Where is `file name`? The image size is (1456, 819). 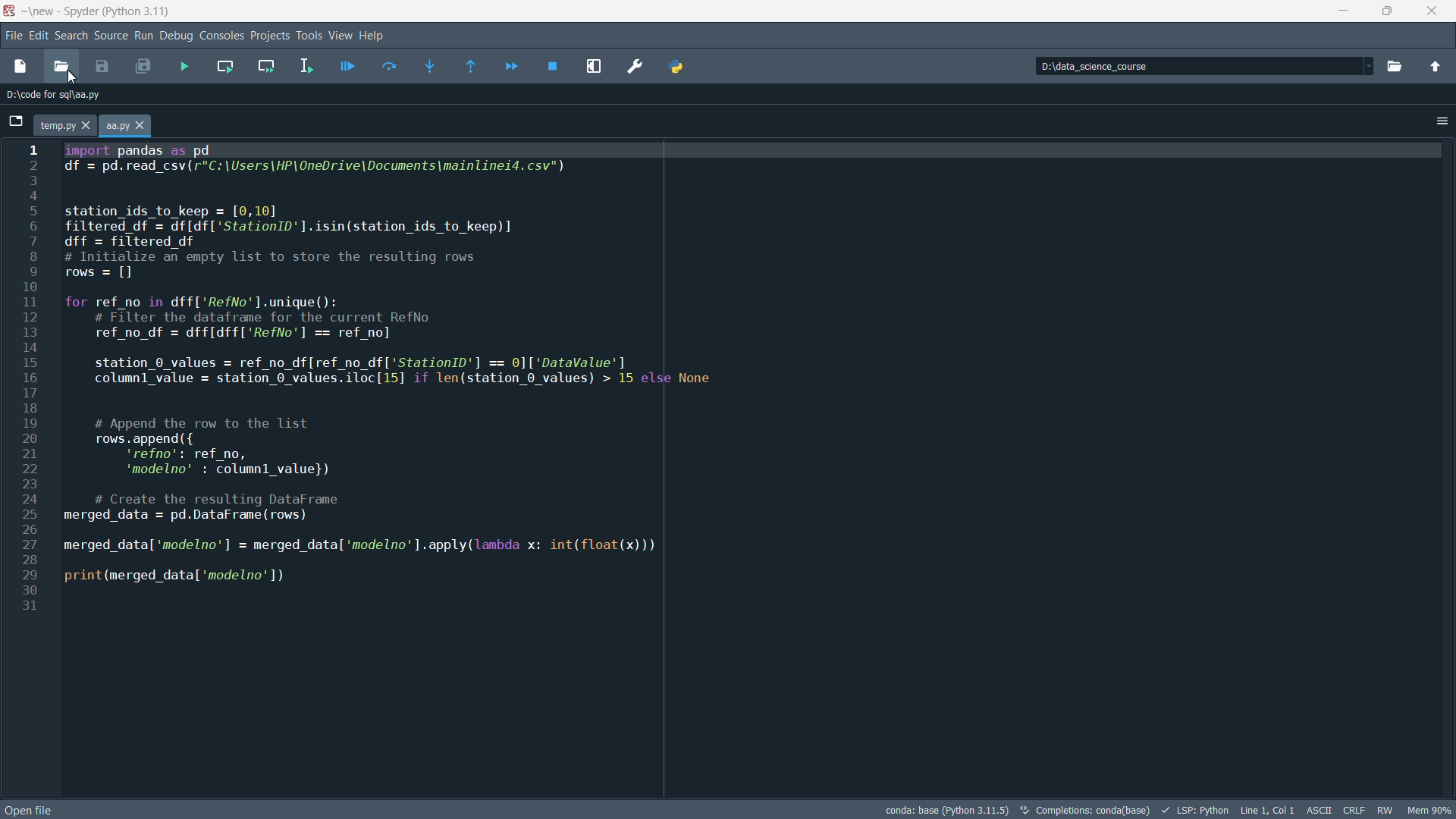 file name is located at coordinates (116, 126).